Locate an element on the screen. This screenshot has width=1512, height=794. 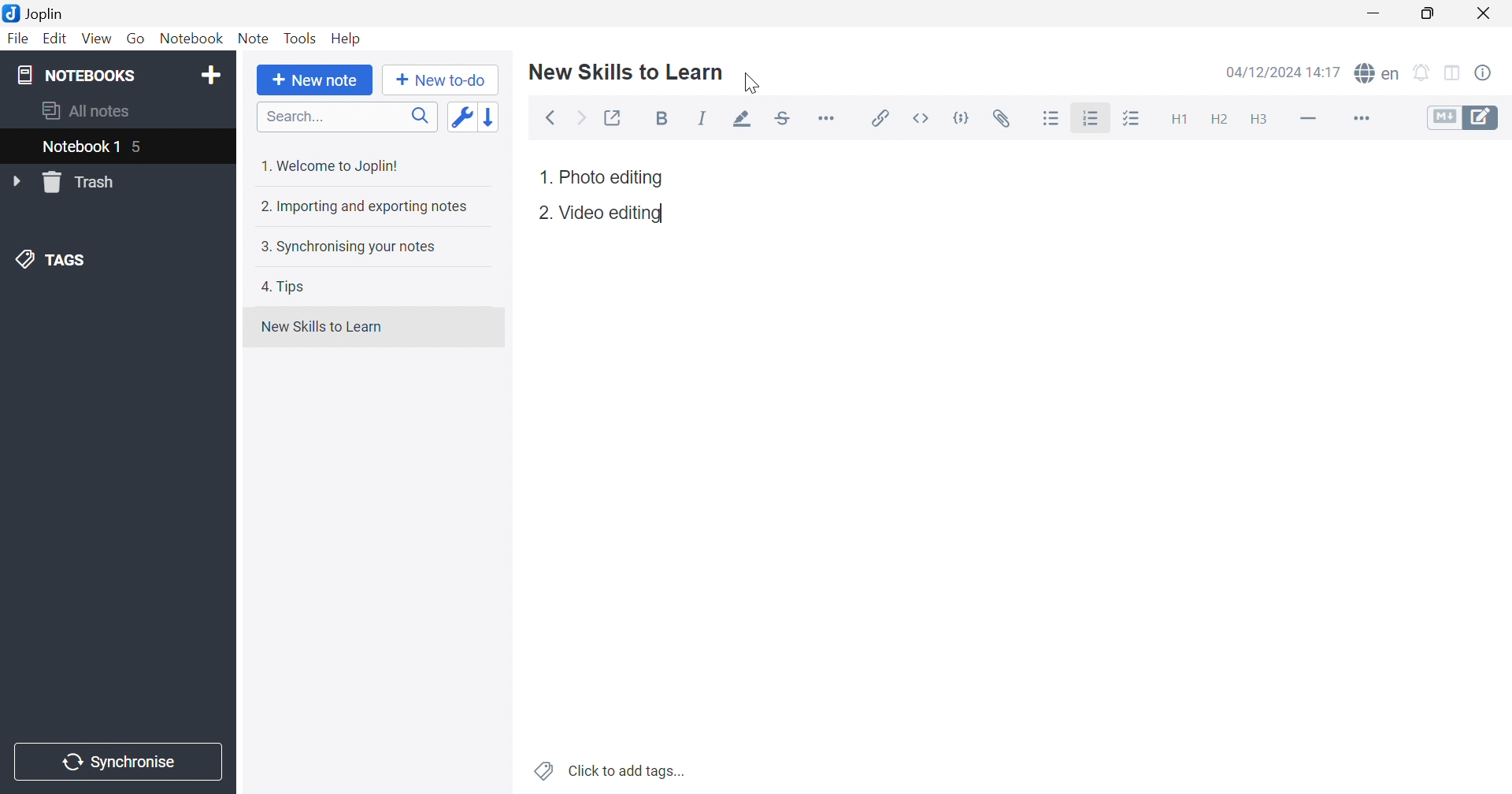
Notebook is located at coordinates (190, 39).